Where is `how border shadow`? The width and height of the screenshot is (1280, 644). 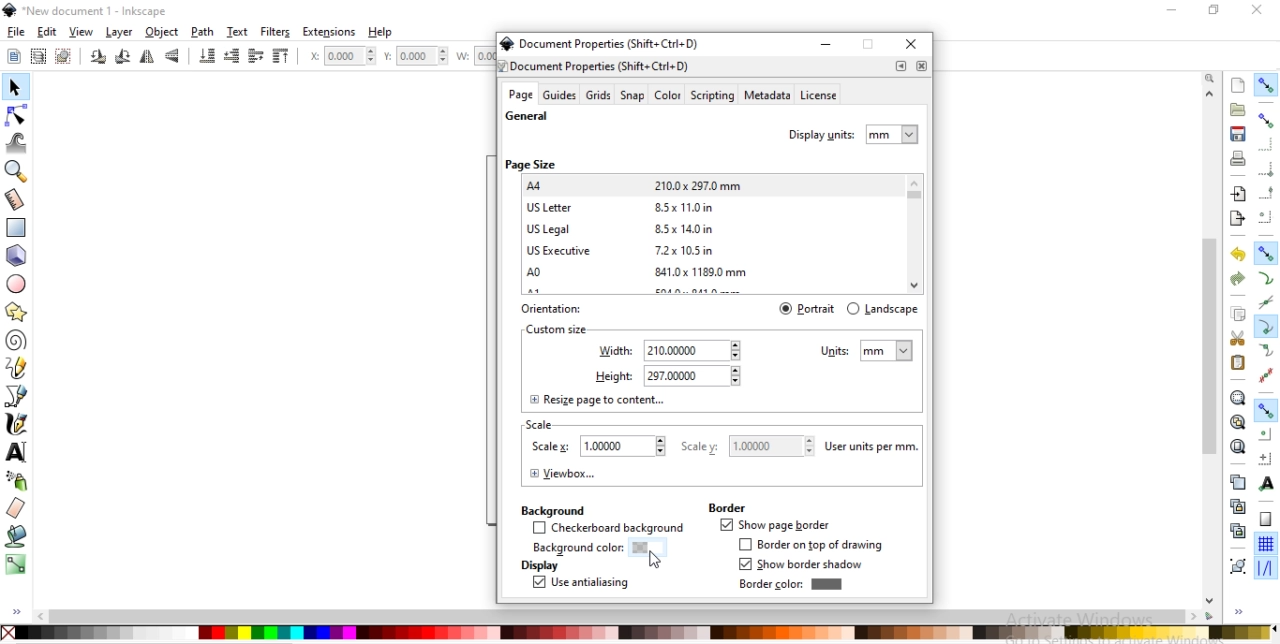 how border shadow is located at coordinates (804, 565).